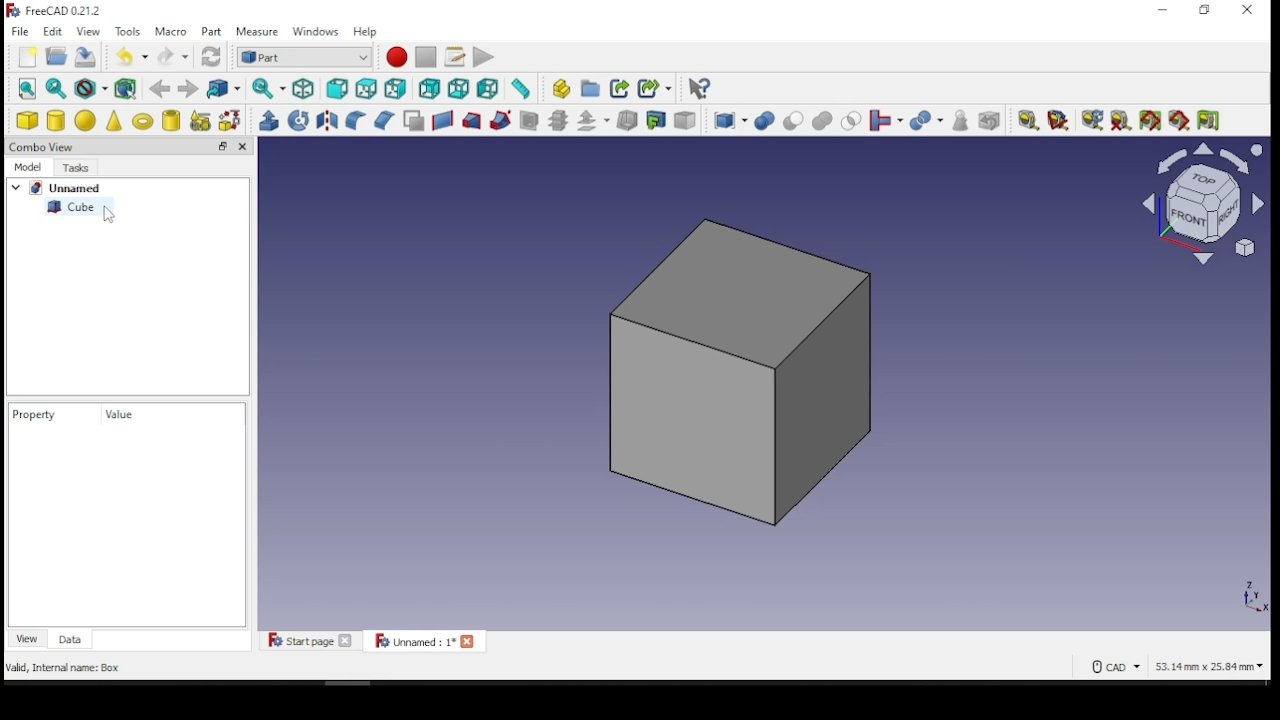 The height and width of the screenshot is (720, 1280). I want to click on execute macro, so click(483, 57).